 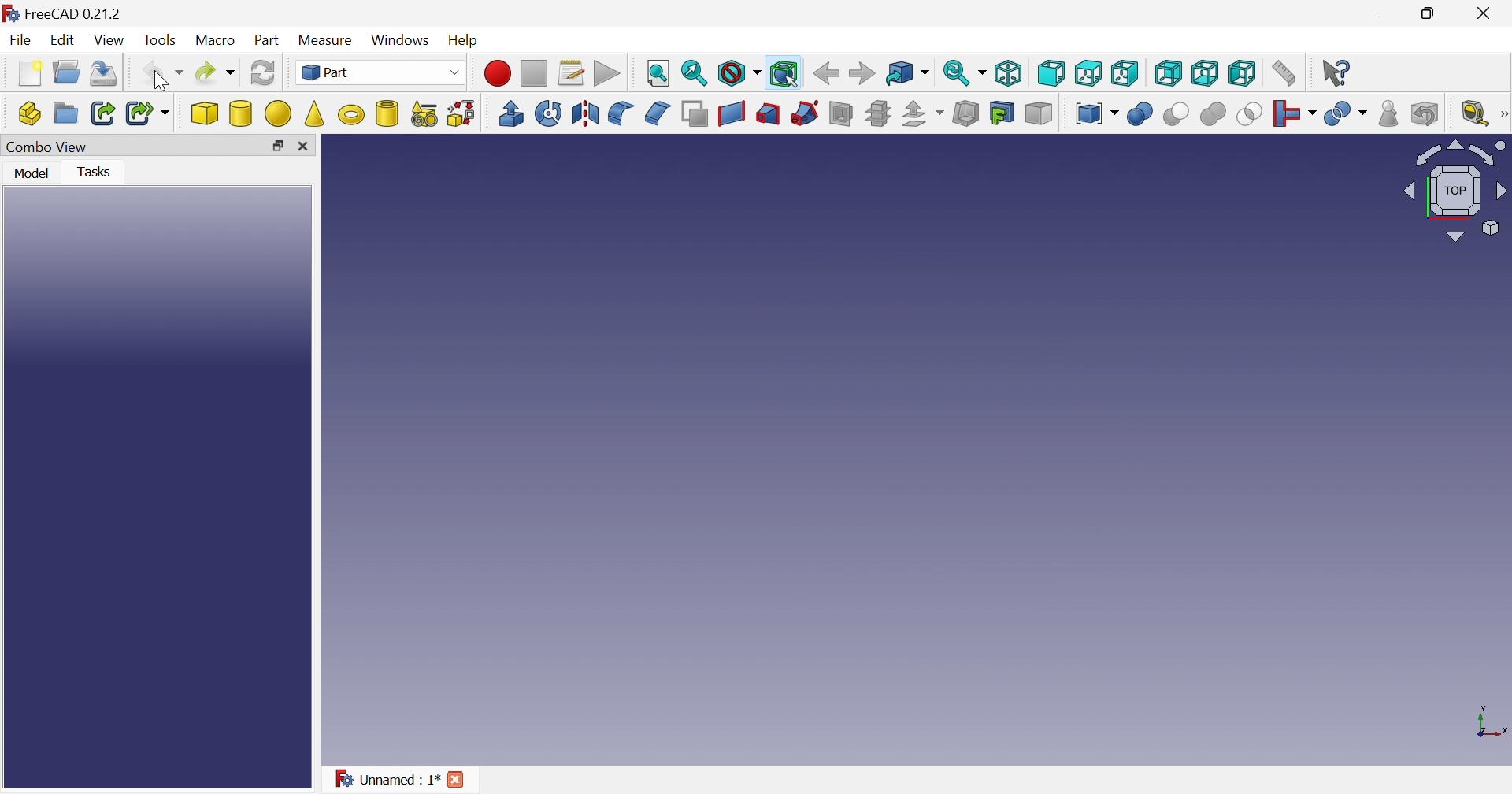 What do you see at coordinates (241, 113) in the screenshot?
I see `Cylinder` at bounding box center [241, 113].